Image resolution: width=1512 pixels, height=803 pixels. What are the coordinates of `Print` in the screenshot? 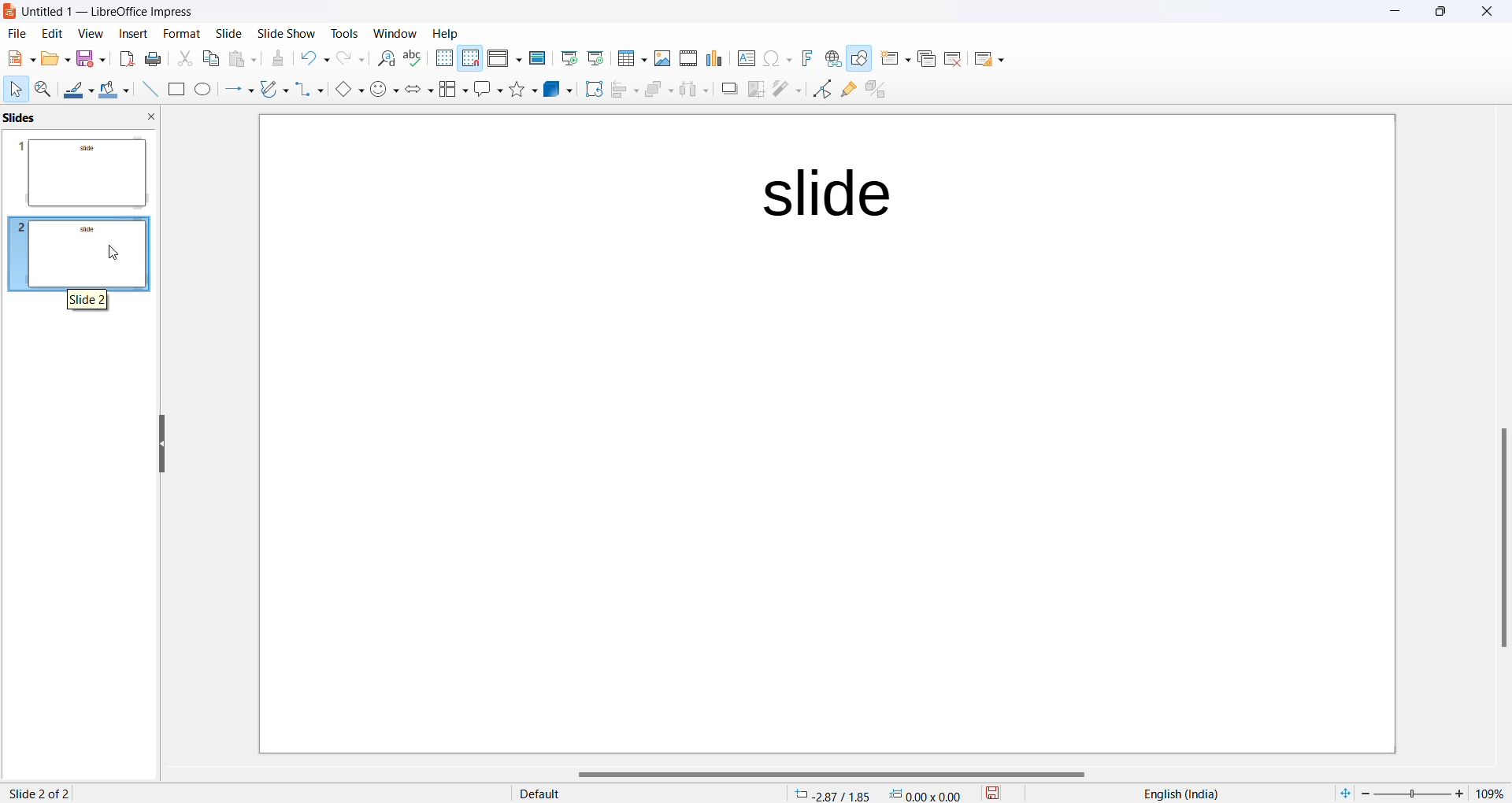 It's located at (155, 58).